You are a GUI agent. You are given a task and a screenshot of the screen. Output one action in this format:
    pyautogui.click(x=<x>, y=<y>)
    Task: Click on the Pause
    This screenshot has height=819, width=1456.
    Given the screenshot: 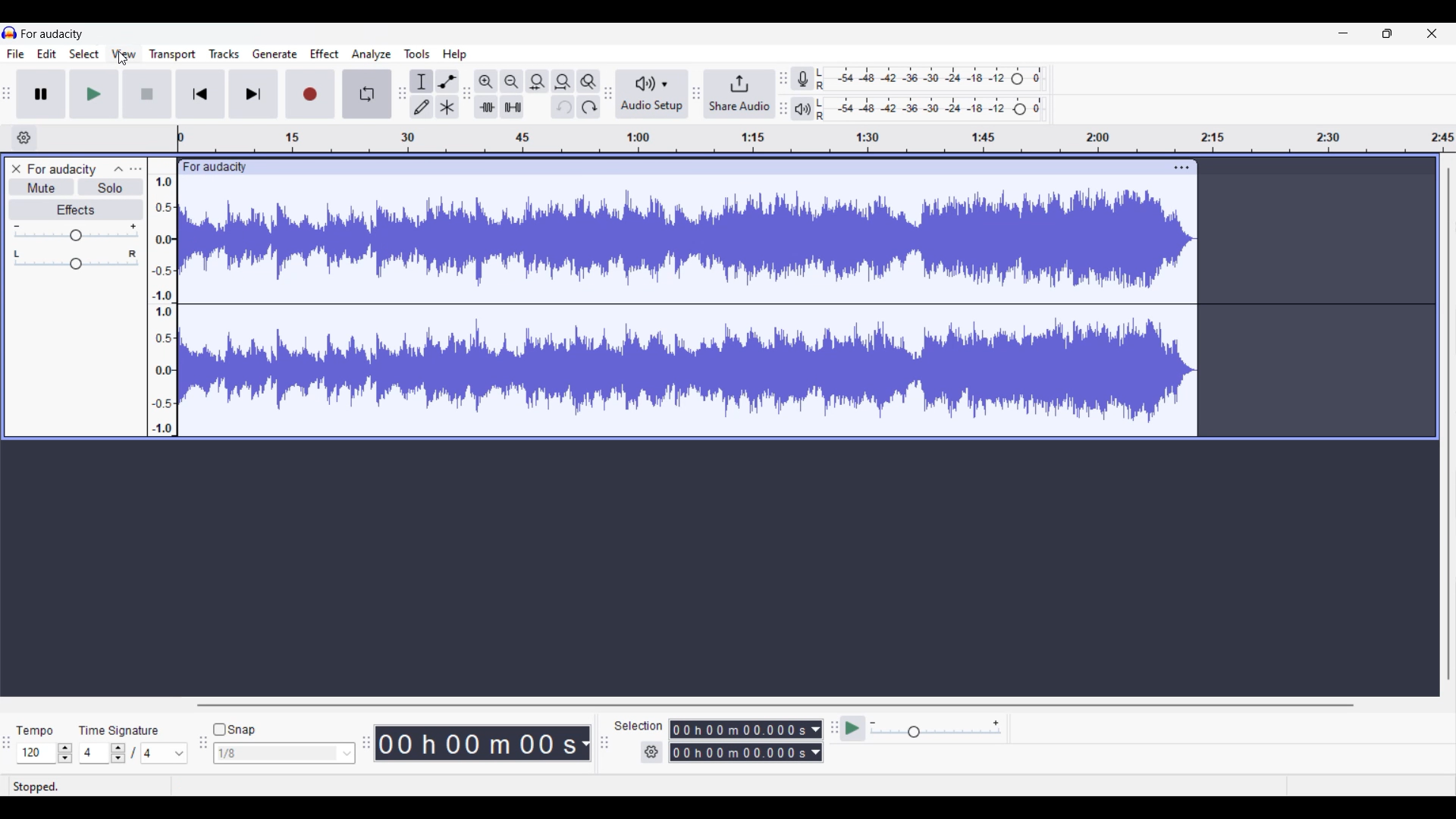 What is the action you would take?
    pyautogui.click(x=40, y=93)
    